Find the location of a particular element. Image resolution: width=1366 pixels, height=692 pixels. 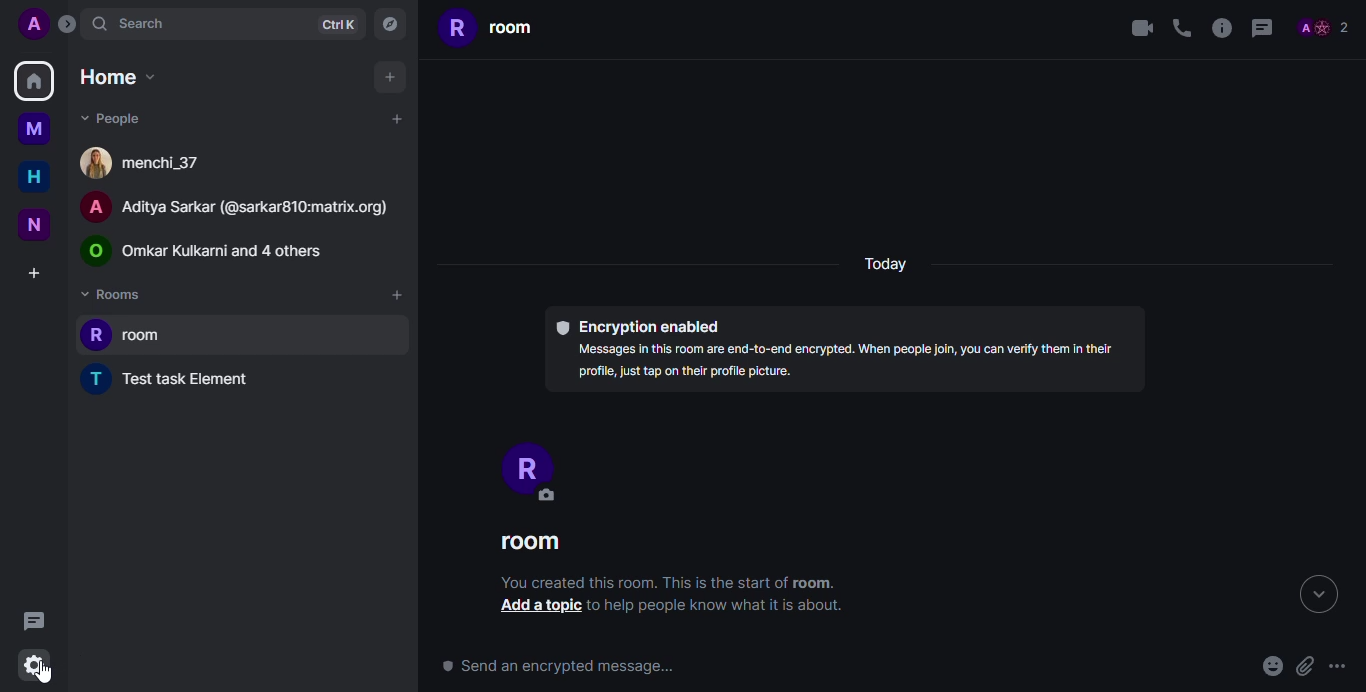

today is located at coordinates (887, 264).